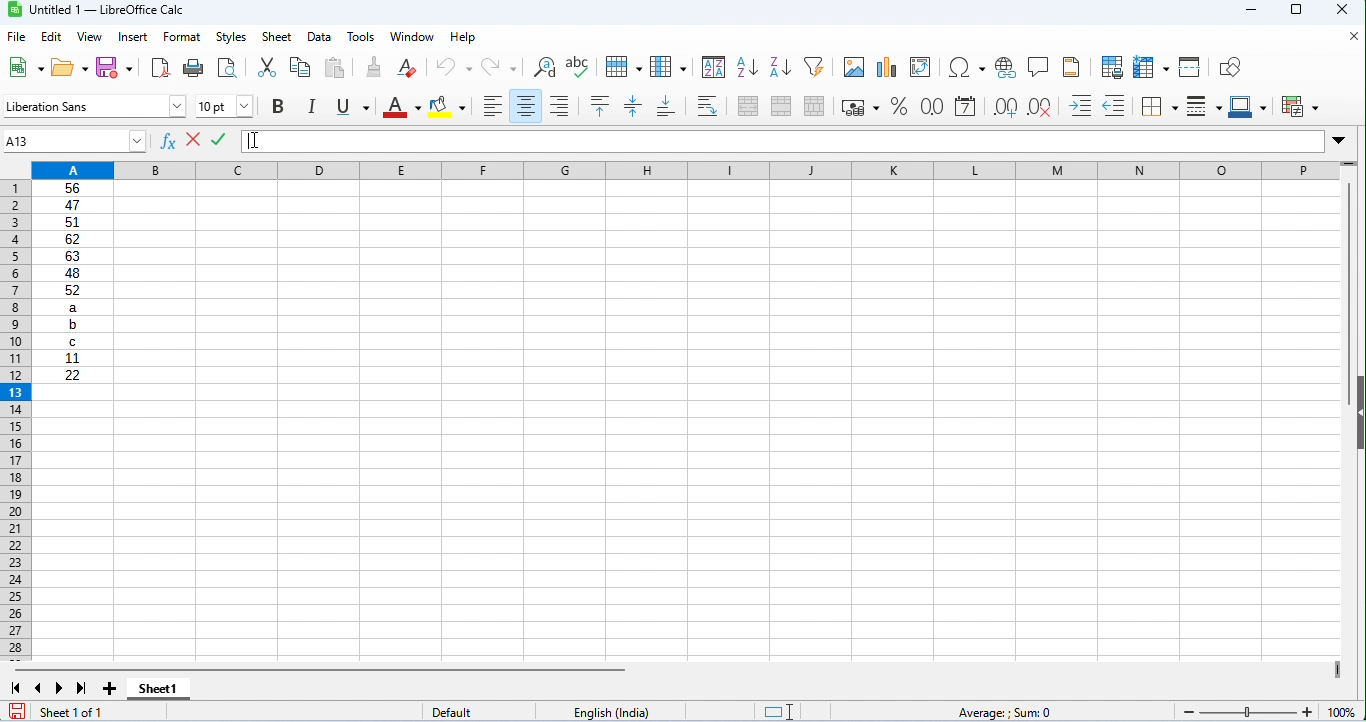 The height and width of the screenshot is (722, 1366). Describe the element at coordinates (1112, 66) in the screenshot. I see `define print area` at that location.